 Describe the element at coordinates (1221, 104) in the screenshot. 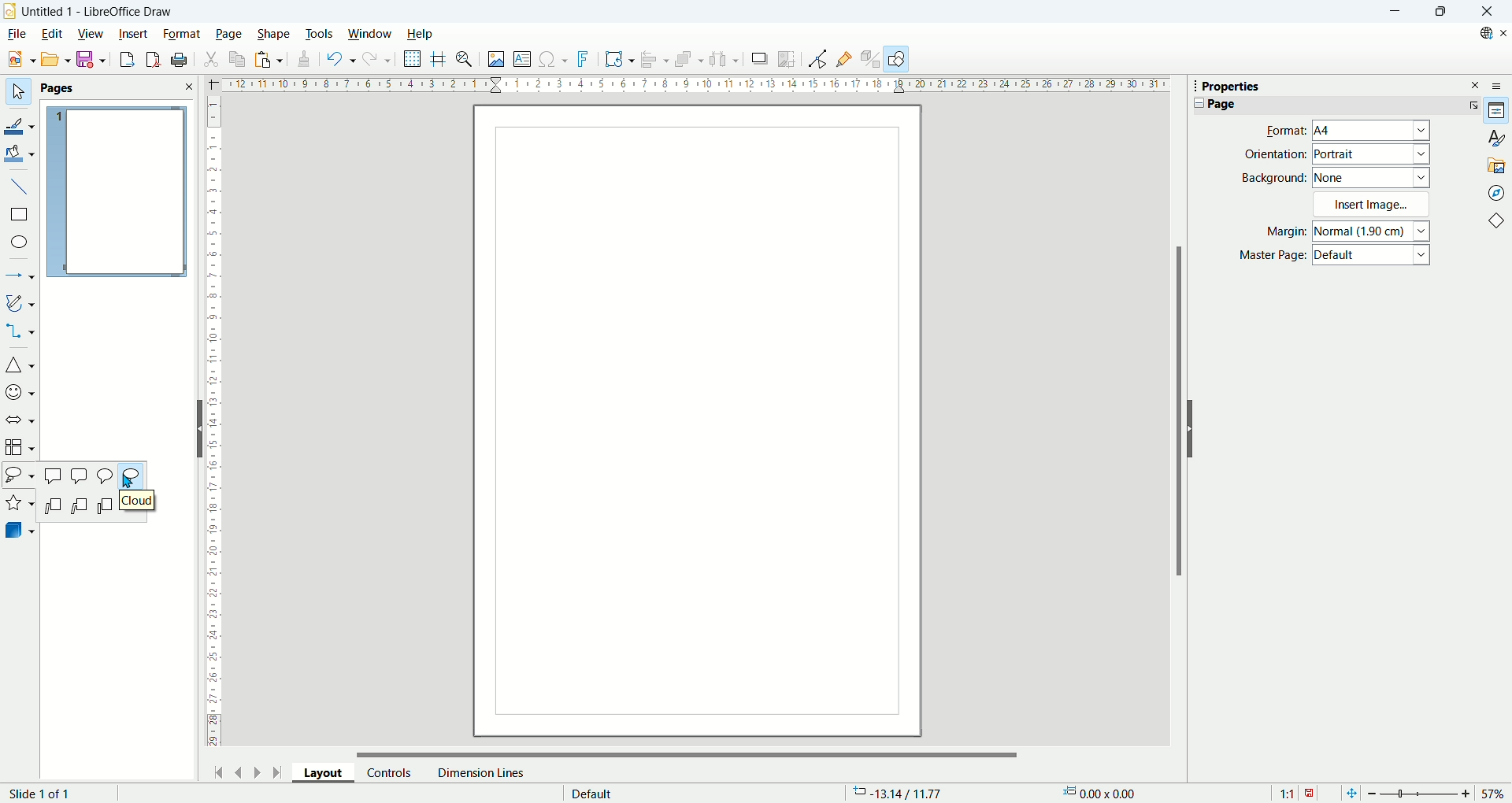

I see `Page` at that location.